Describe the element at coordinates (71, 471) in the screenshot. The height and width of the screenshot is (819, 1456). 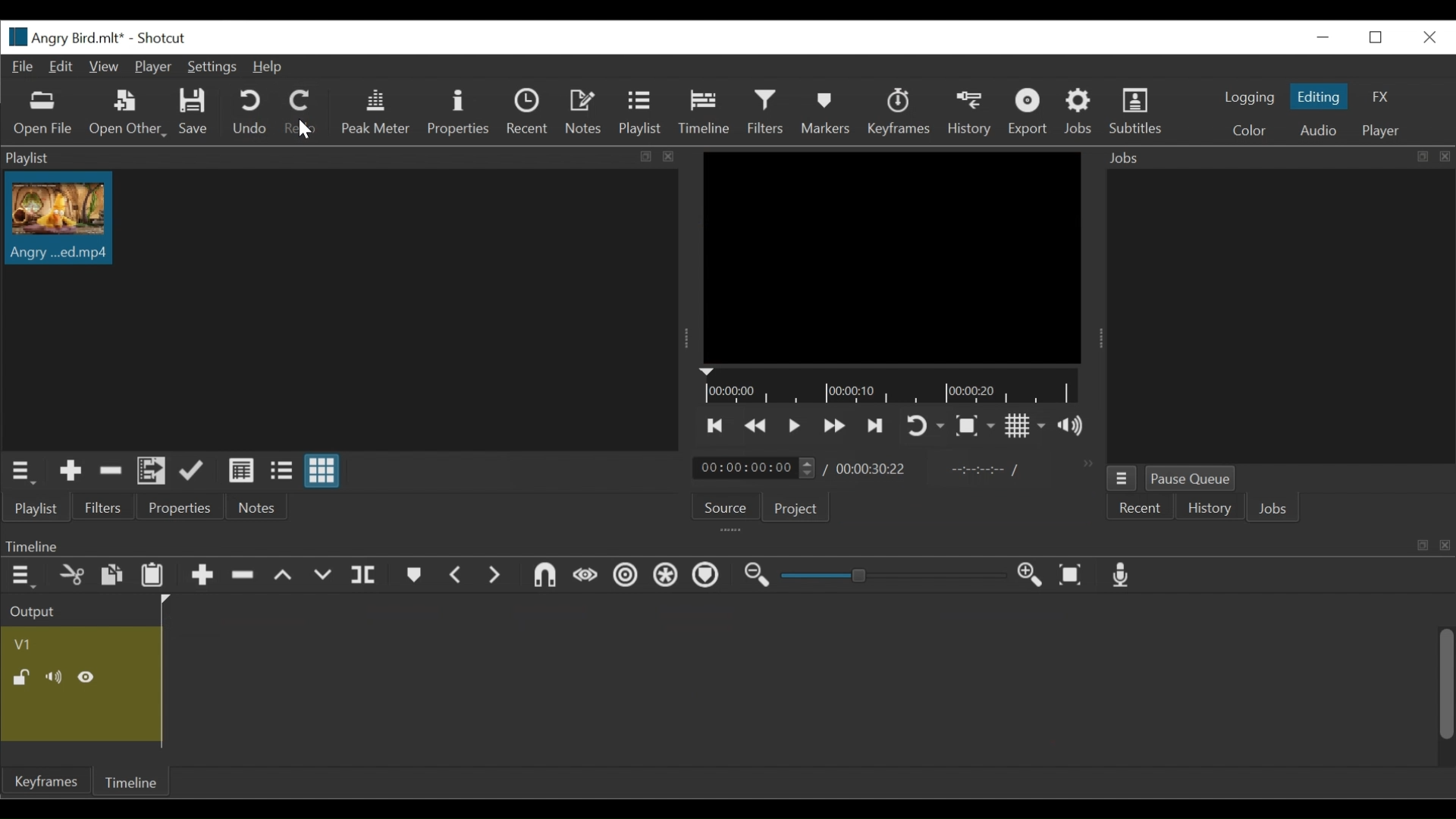
I see `Add Source to the playlist` at that location.